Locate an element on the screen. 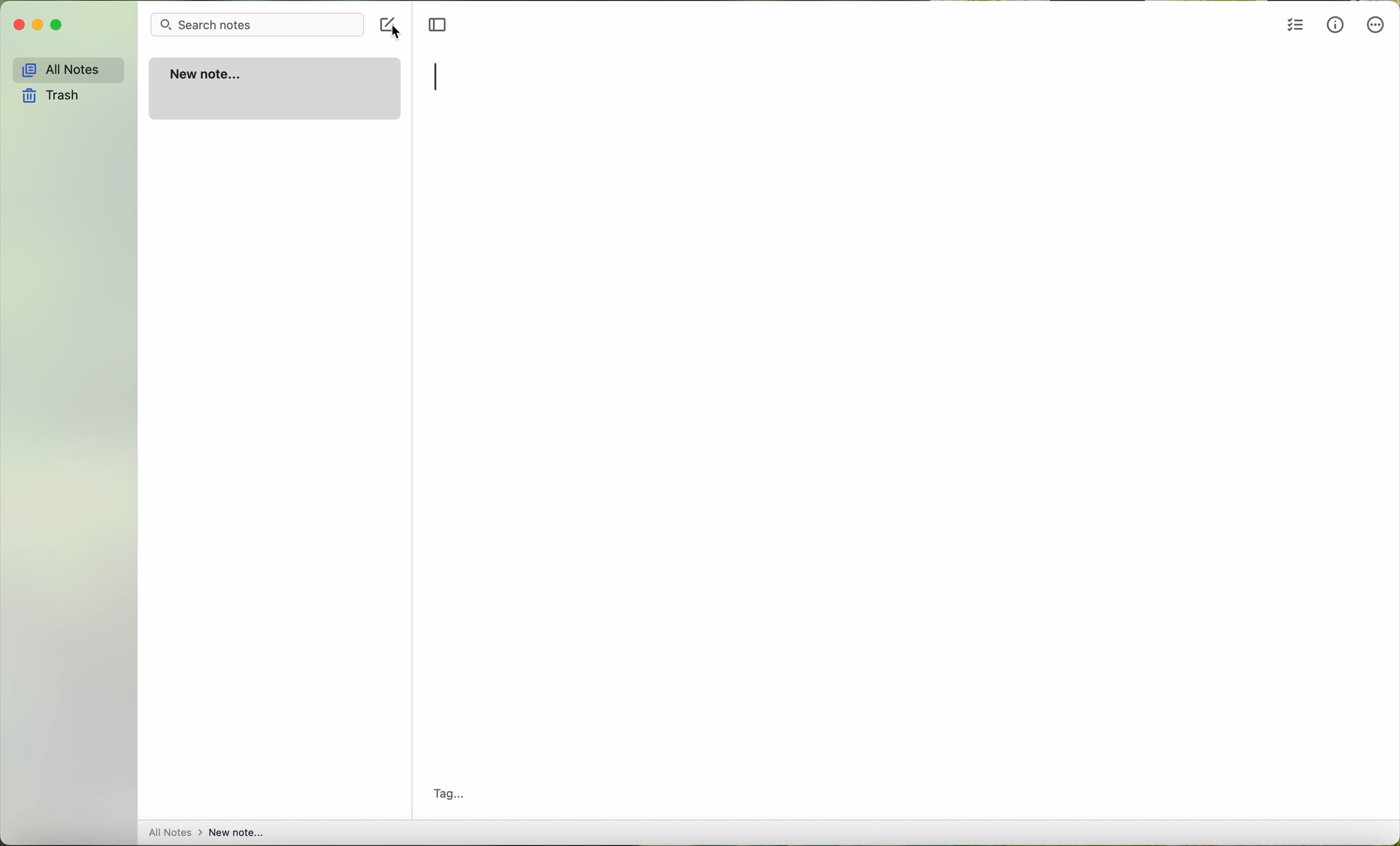 The image size is (1400, 846). new note is located at coordinates (276, 91).